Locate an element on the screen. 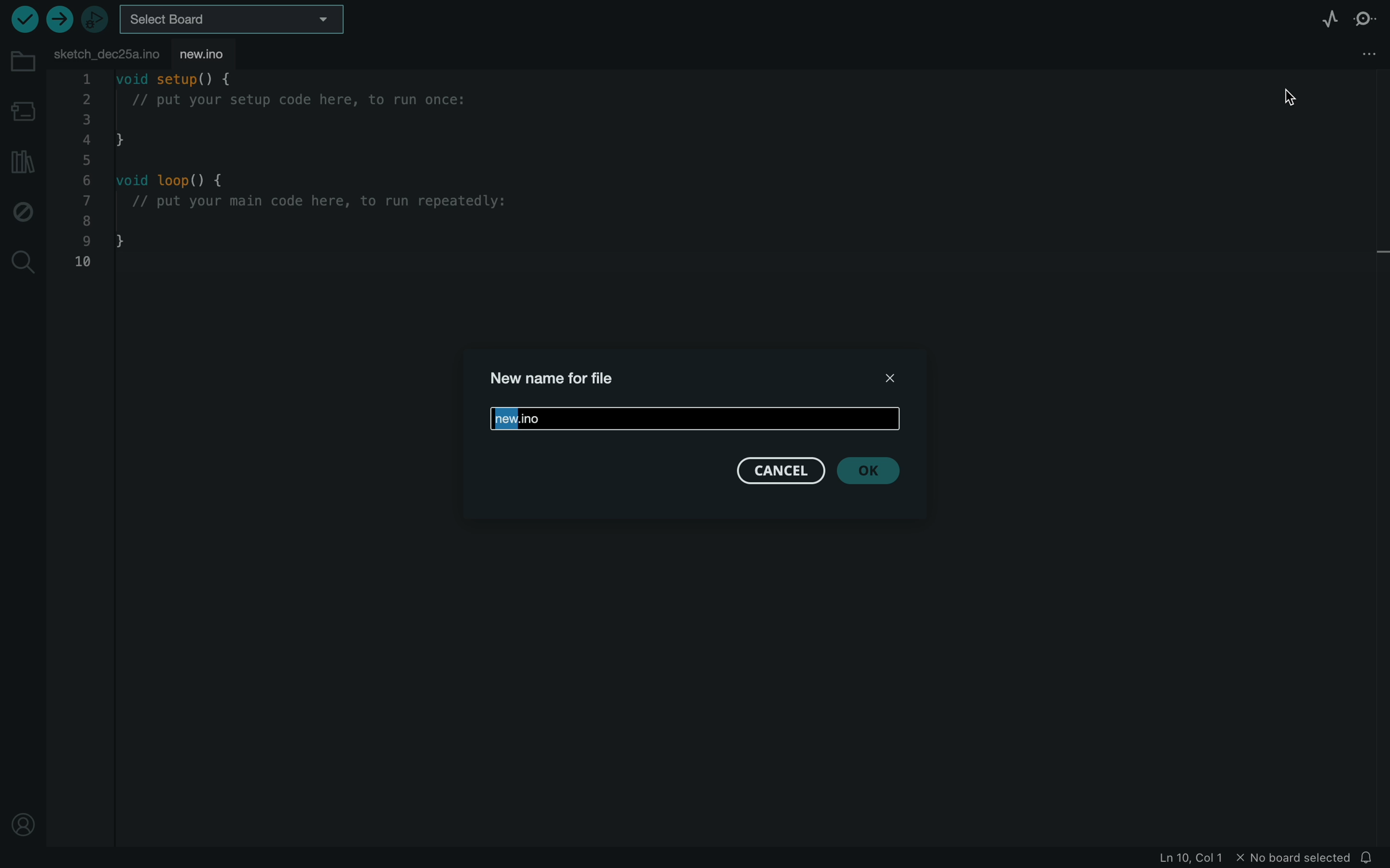 Image resolution: width=1390 pixels, height=868 pixels. new  is located at coordinates (694, 417).